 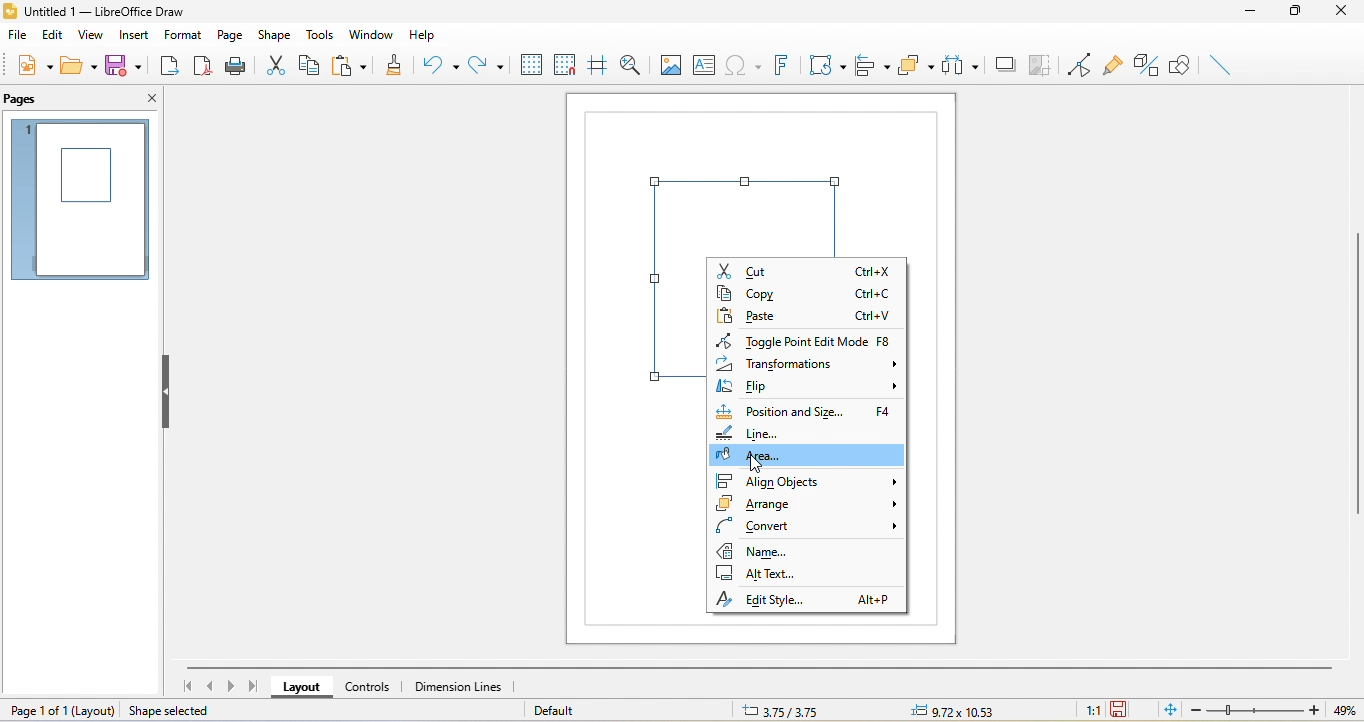 I want to click on minimize, so click(x=1250, y=13).